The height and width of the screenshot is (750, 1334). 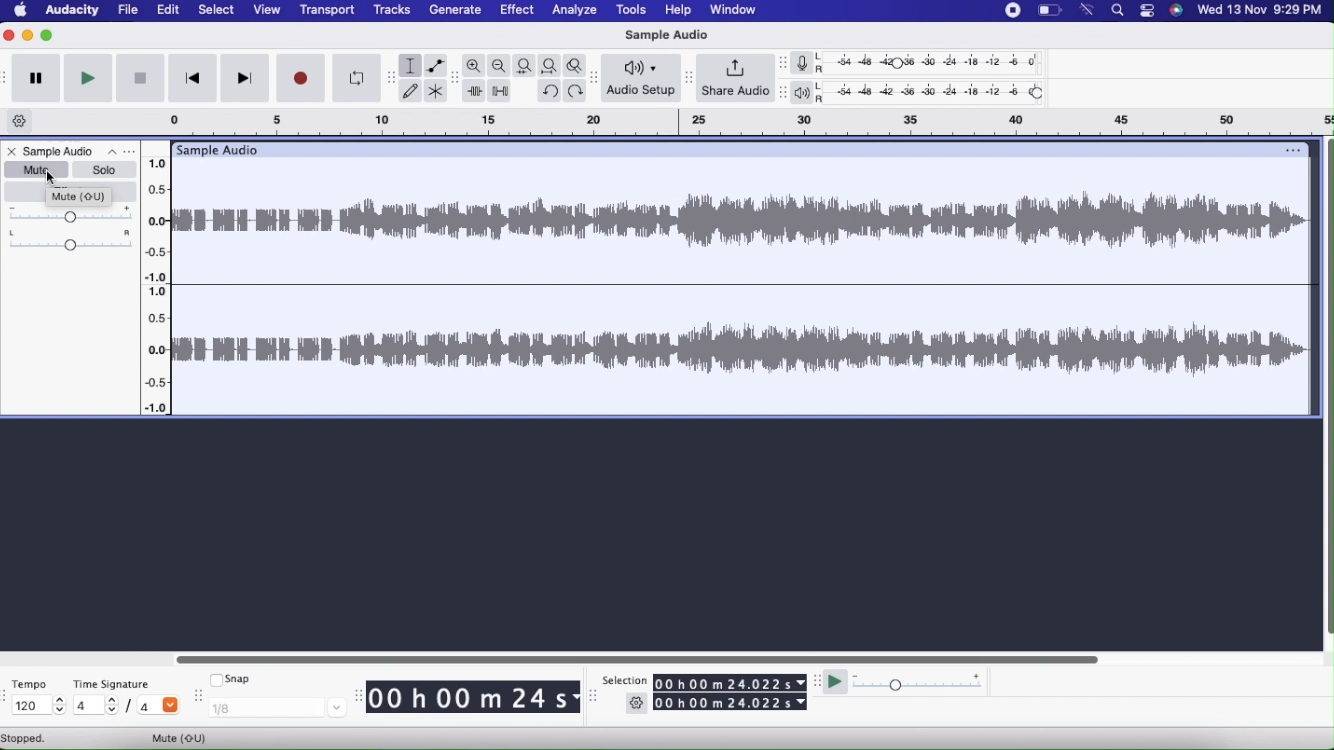 What do you see at coordinates (112, 684) in the screenshot?
I see `Time signature` at bounding box center [112, 684].